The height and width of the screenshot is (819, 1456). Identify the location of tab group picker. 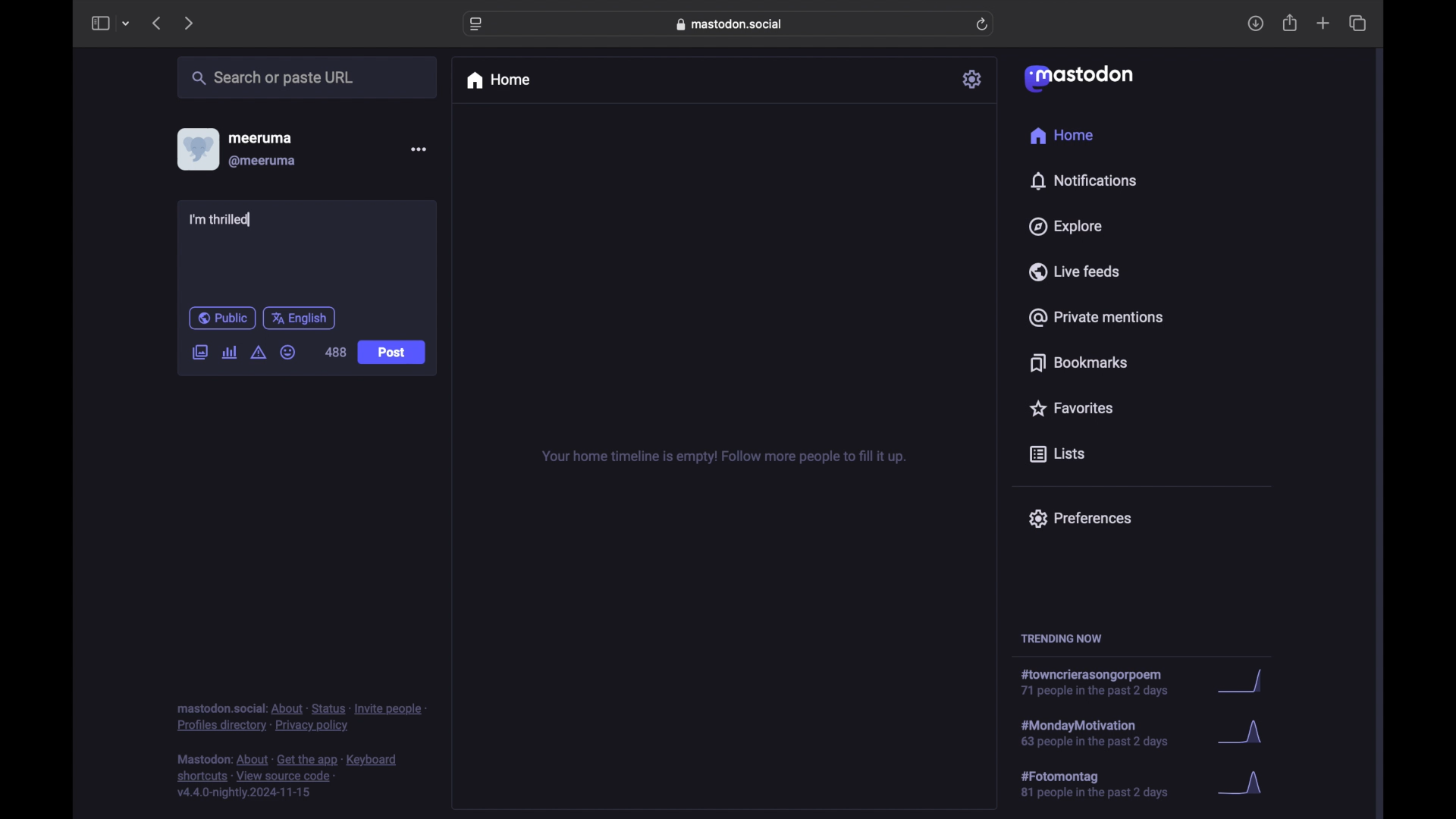
(127, 23).